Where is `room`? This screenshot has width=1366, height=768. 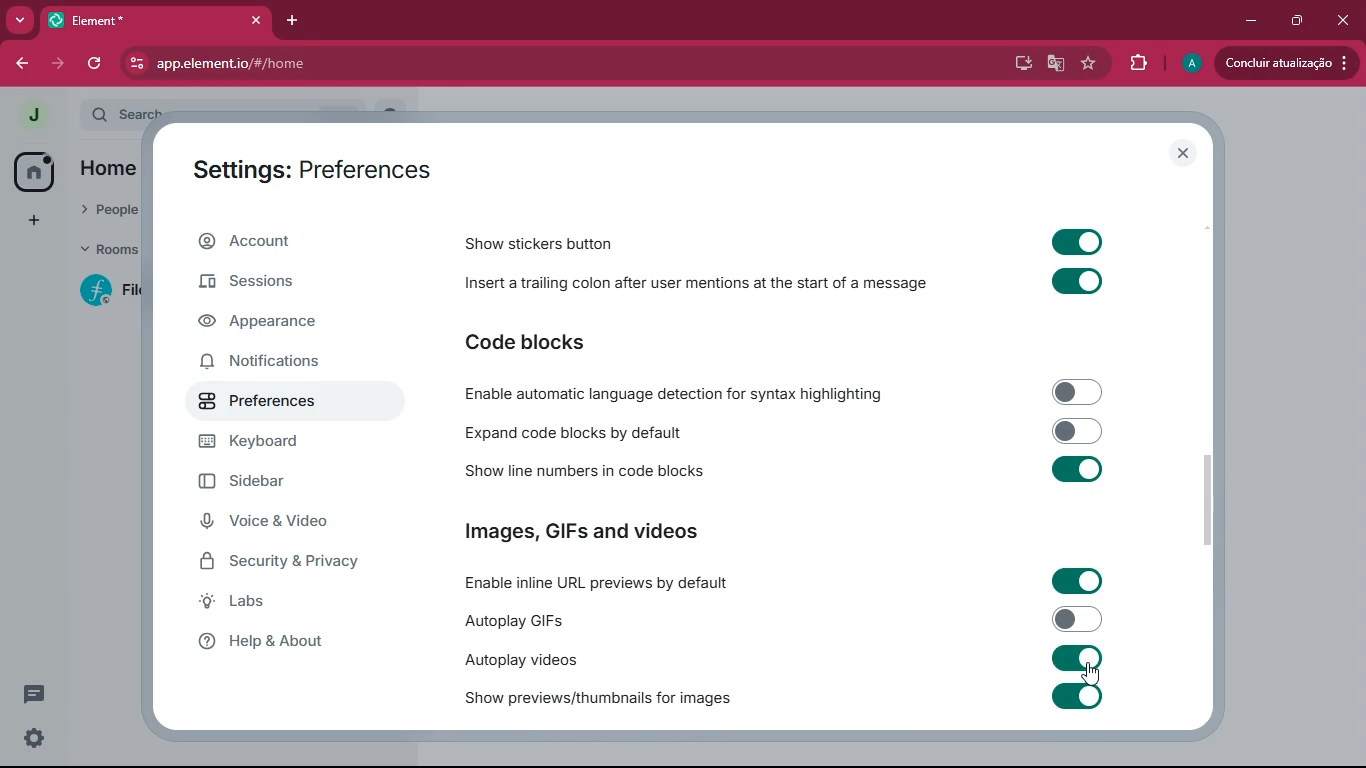
room is located at coordinates (106, 290).